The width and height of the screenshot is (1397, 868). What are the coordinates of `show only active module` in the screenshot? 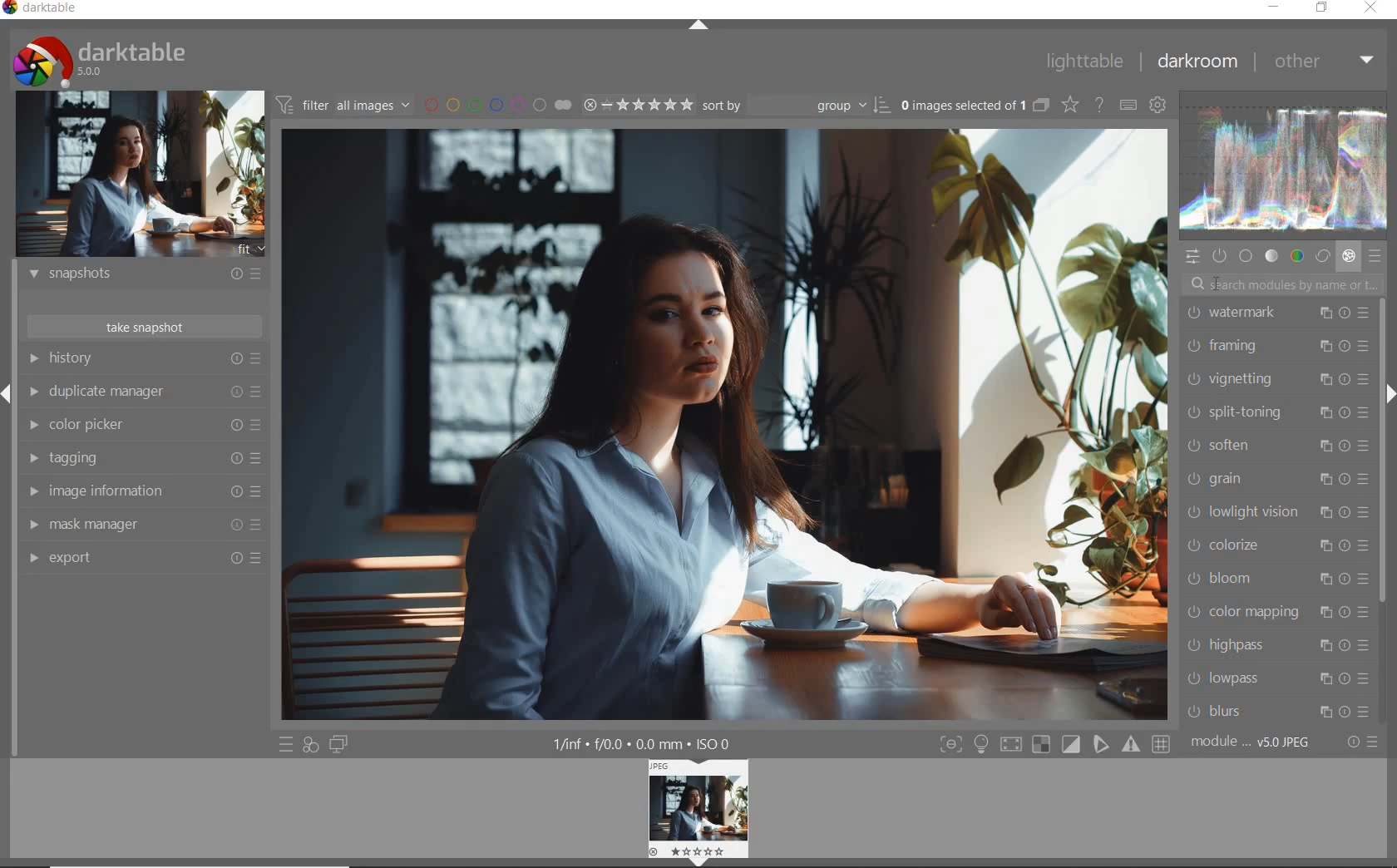 It's located at (1221, 255).